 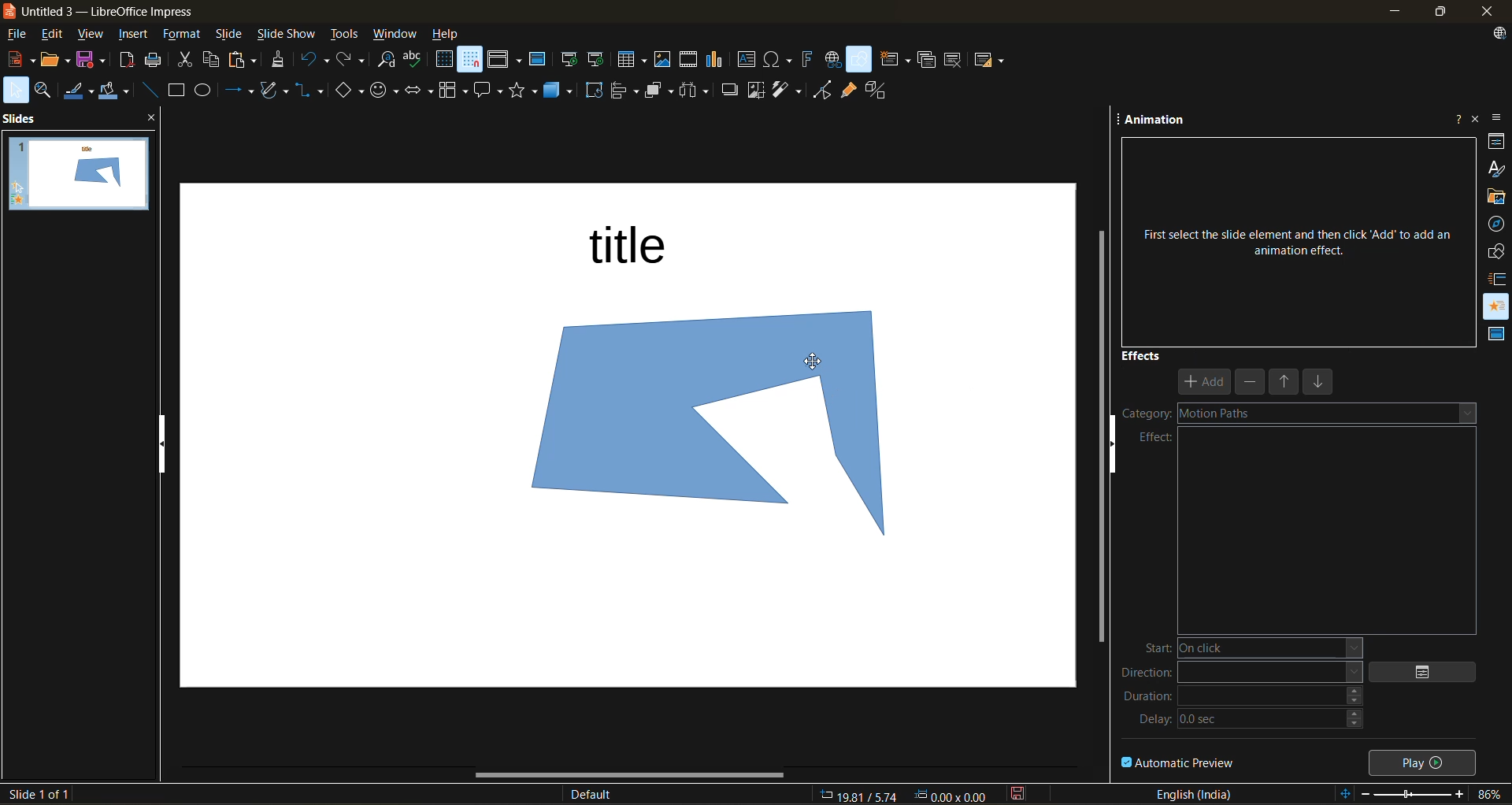 What do you see at coordinates (1490, 13) in the screenshot?
I see `close` at bounding box center [1490, 13].